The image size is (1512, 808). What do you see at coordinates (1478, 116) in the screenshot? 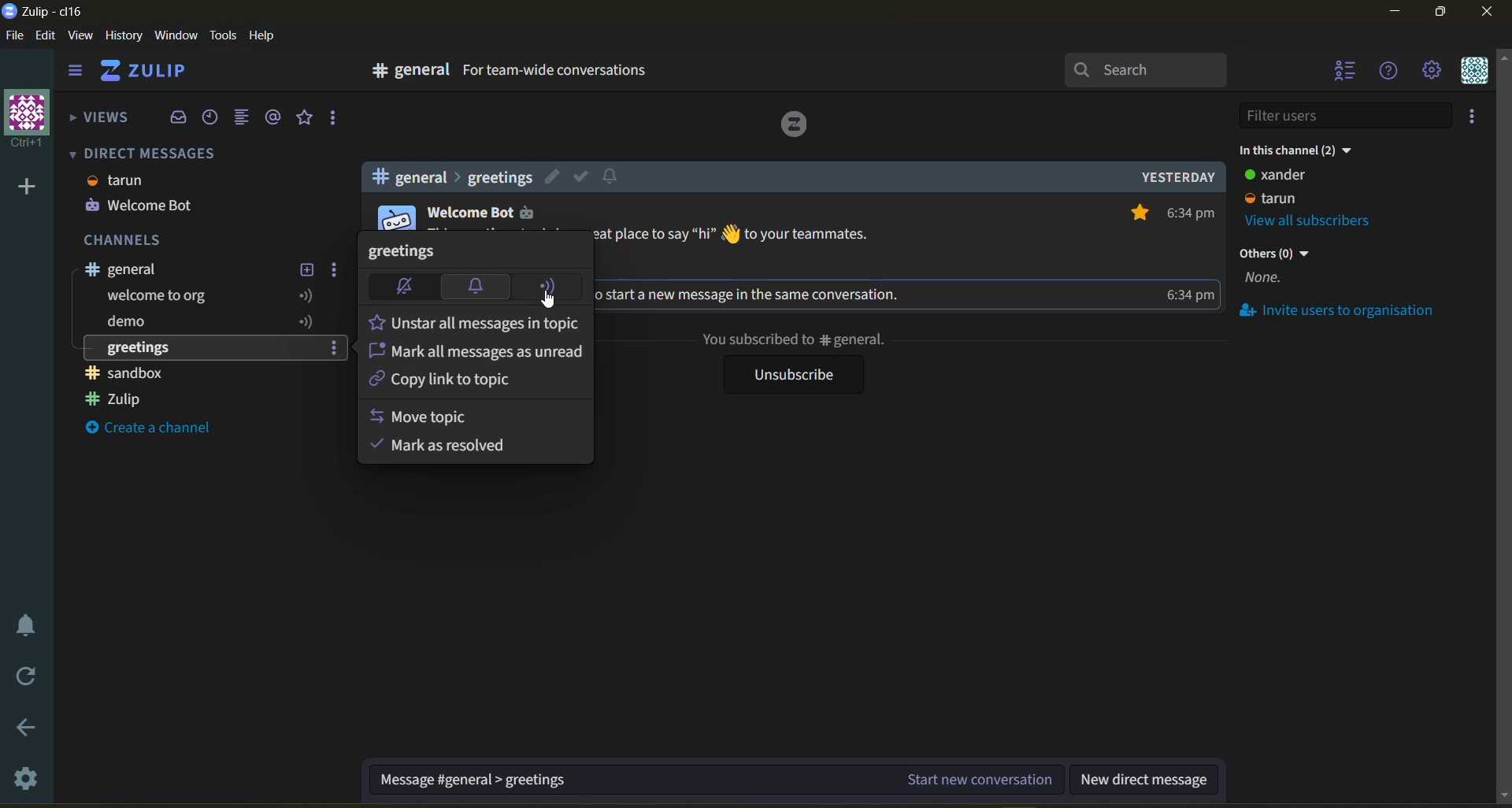
I see `invite users to organisation` at bounding box center [1478, 116].